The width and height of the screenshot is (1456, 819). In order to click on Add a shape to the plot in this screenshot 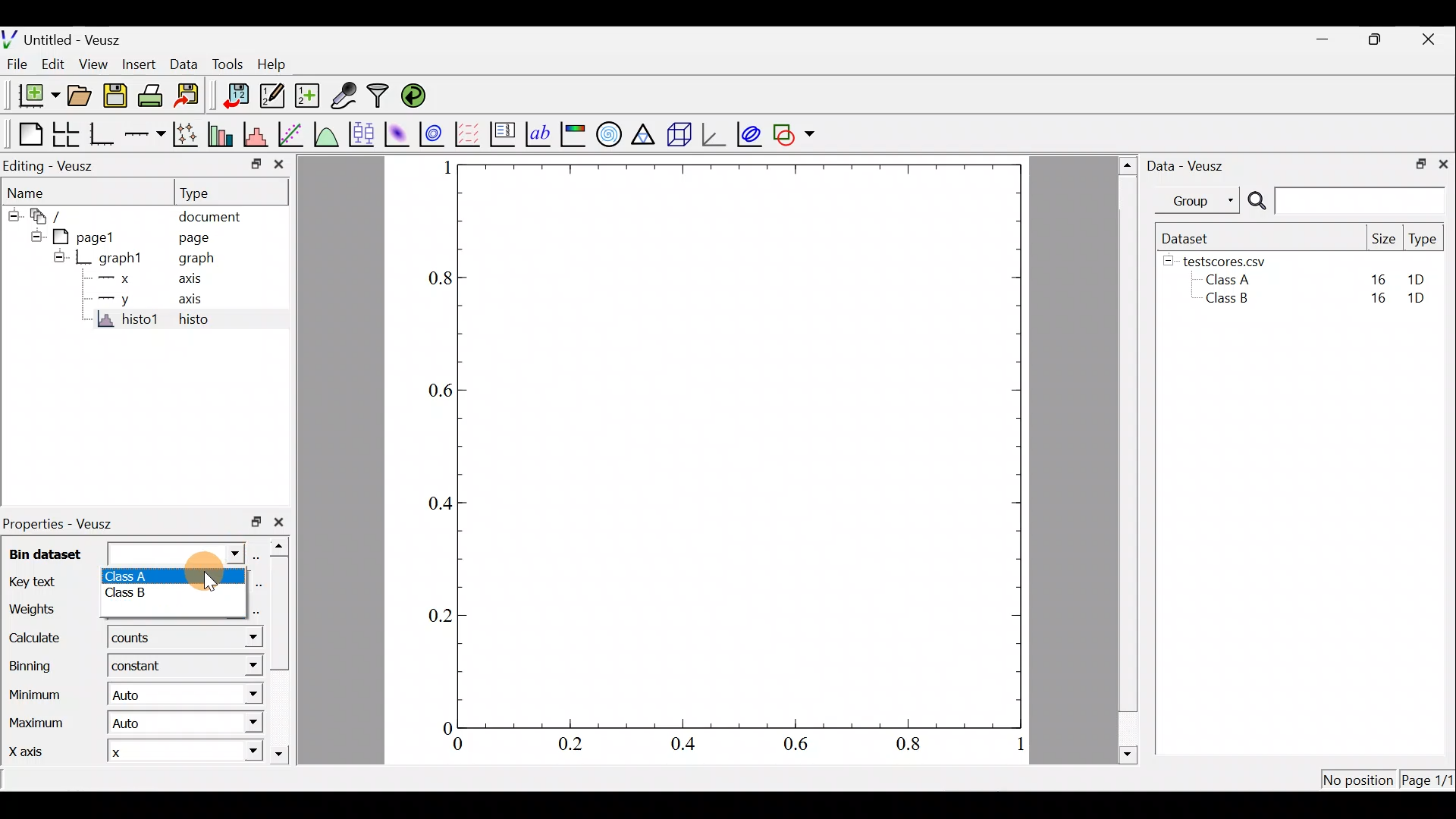, I will do `click(797, 134)`.